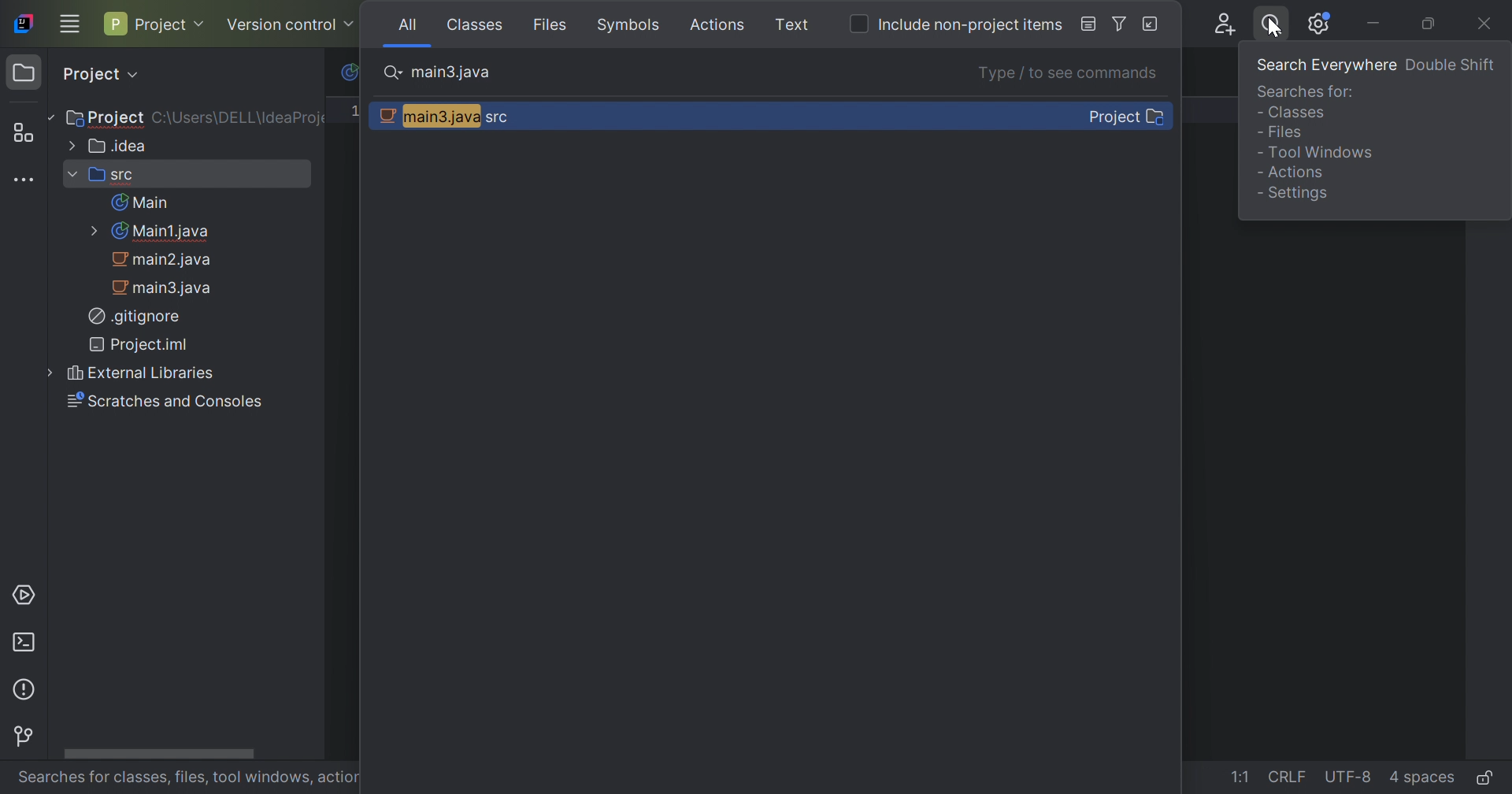 The height and width of the screenshot is (794, 1512). Describe the element at coordinates (1082, 25) in the screenshot. I see `Debug` at that location.